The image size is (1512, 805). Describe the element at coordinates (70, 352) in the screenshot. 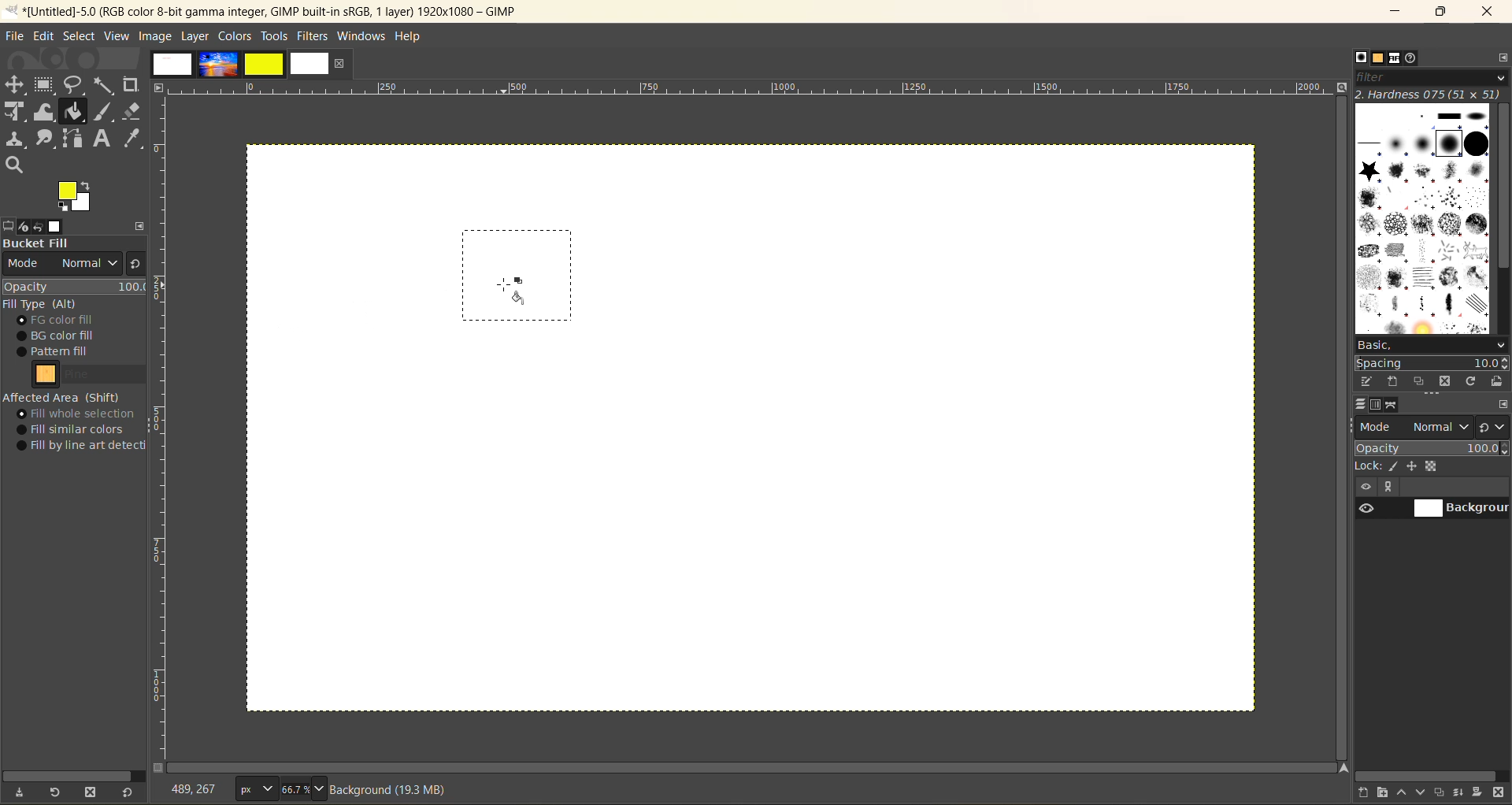

I see `pattern fill` at that location.